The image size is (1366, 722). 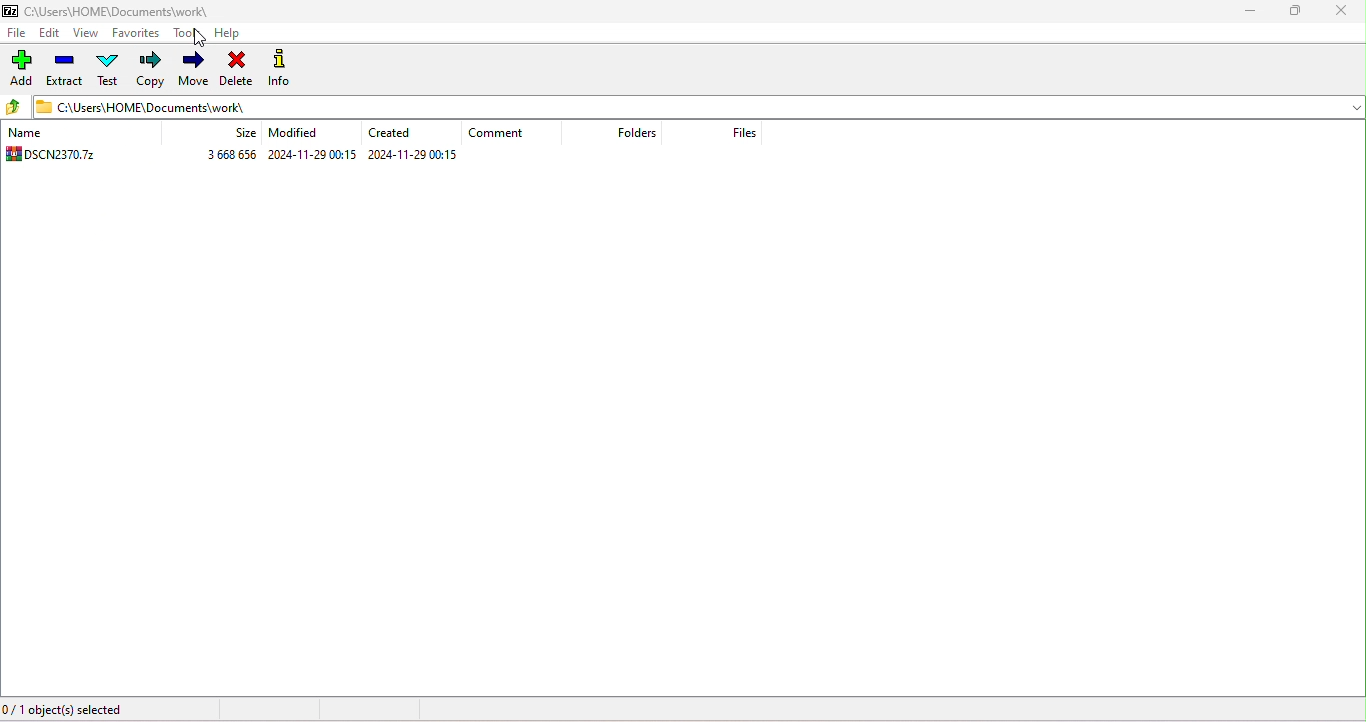 What do you see at coordinates (16, 34) in the screenshot?
I see `file` at bounding box center [16, 34].